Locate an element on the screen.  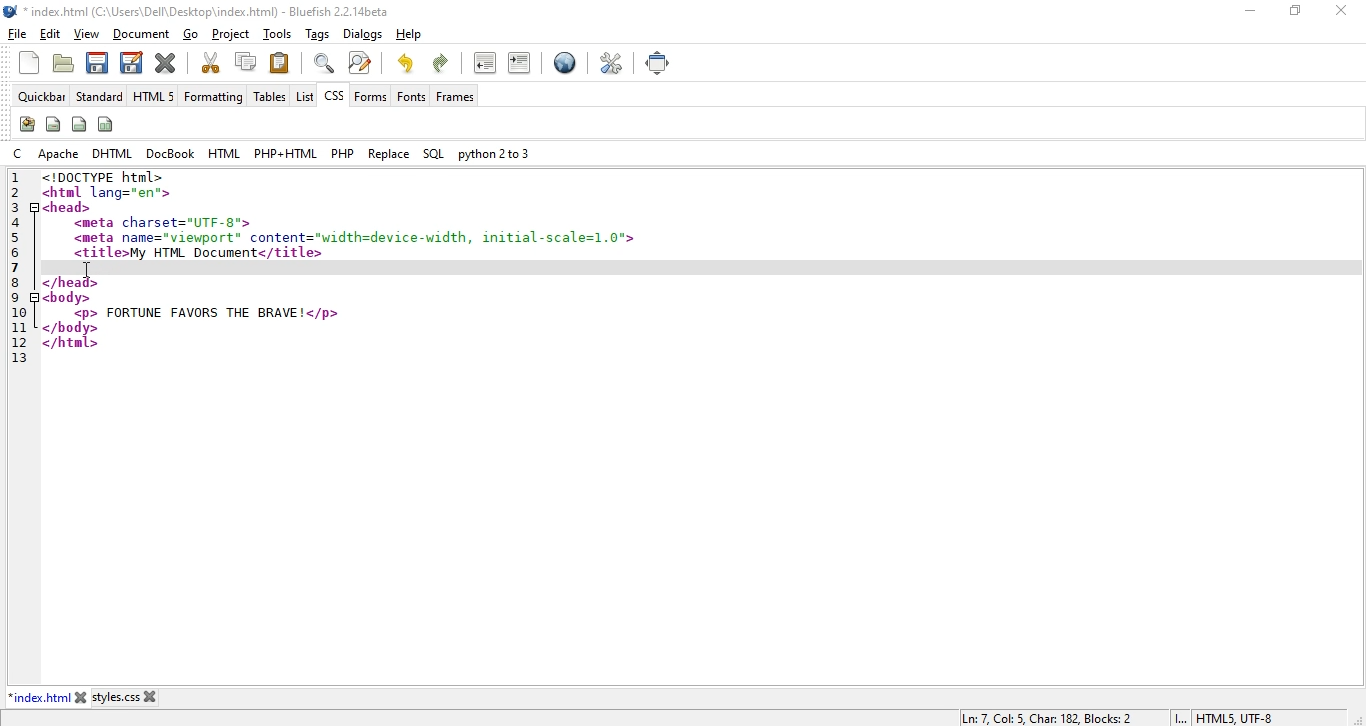
</body> is located at coordinates (71, 328).